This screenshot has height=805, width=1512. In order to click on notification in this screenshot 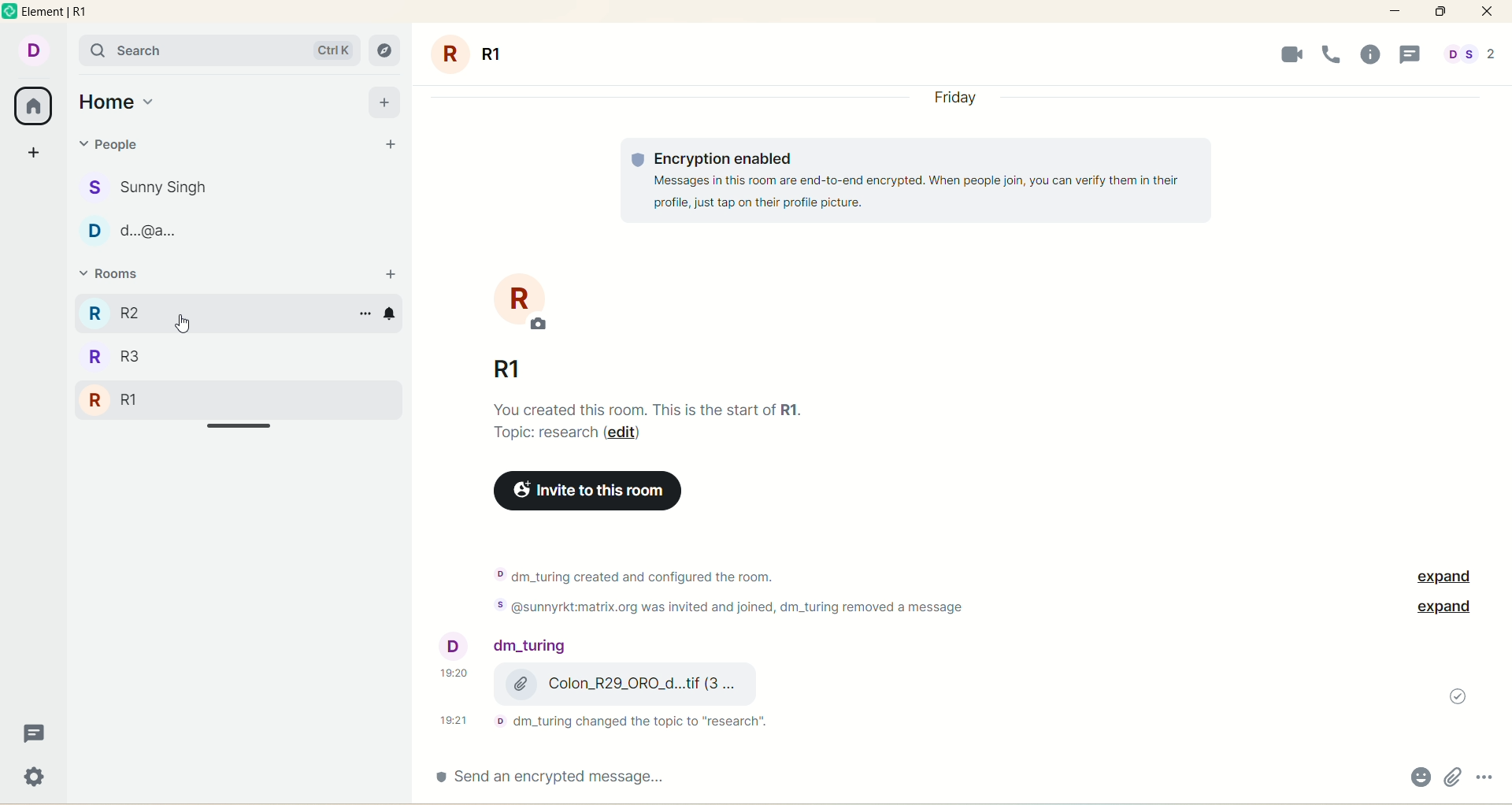, I will do `click(398, 315)`.